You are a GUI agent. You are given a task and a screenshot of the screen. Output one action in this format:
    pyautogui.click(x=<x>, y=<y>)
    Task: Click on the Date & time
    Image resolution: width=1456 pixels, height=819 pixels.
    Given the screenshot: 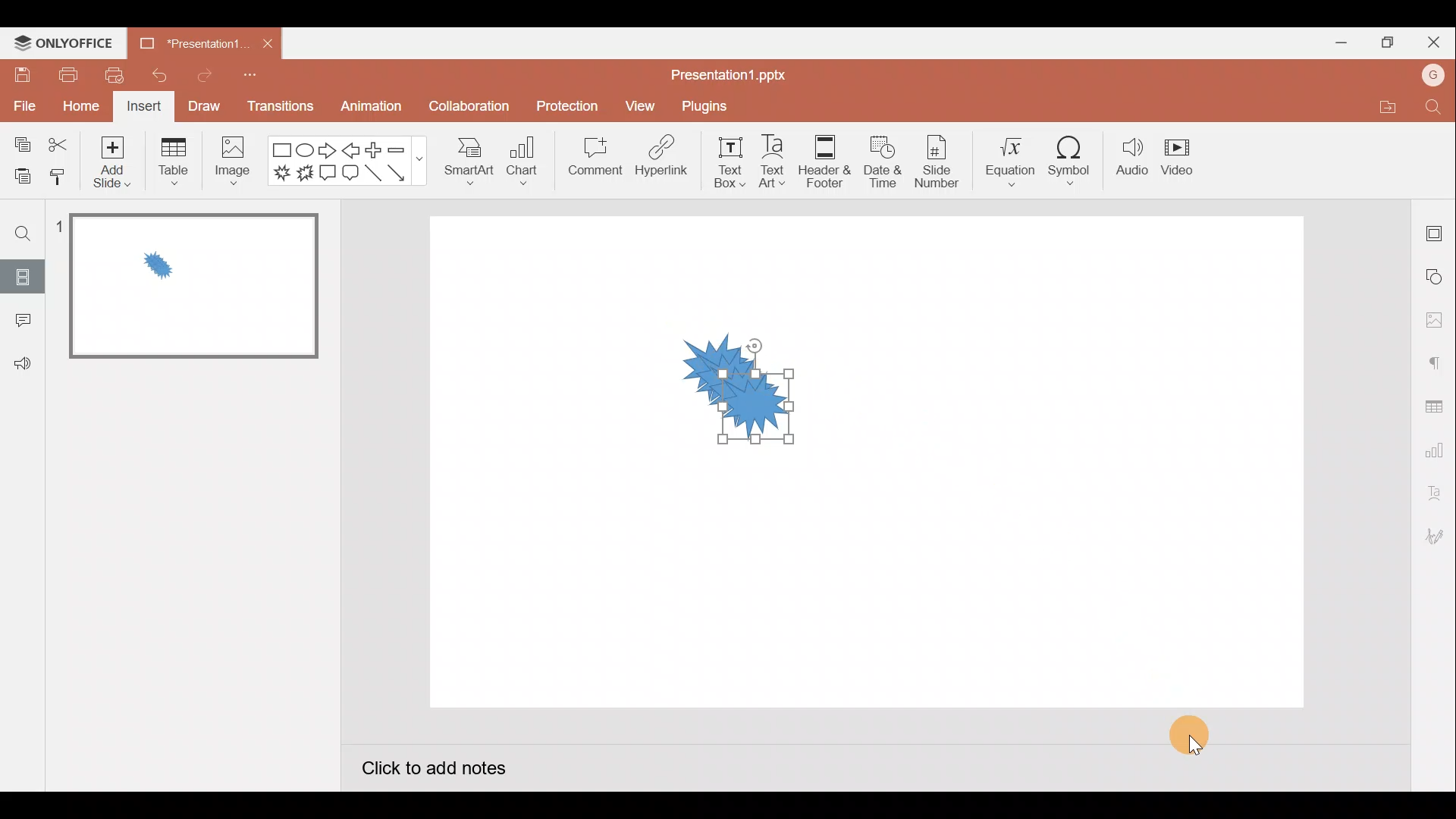 What is the action you would take?
    pyautogui.click(x=883, y=162)
    